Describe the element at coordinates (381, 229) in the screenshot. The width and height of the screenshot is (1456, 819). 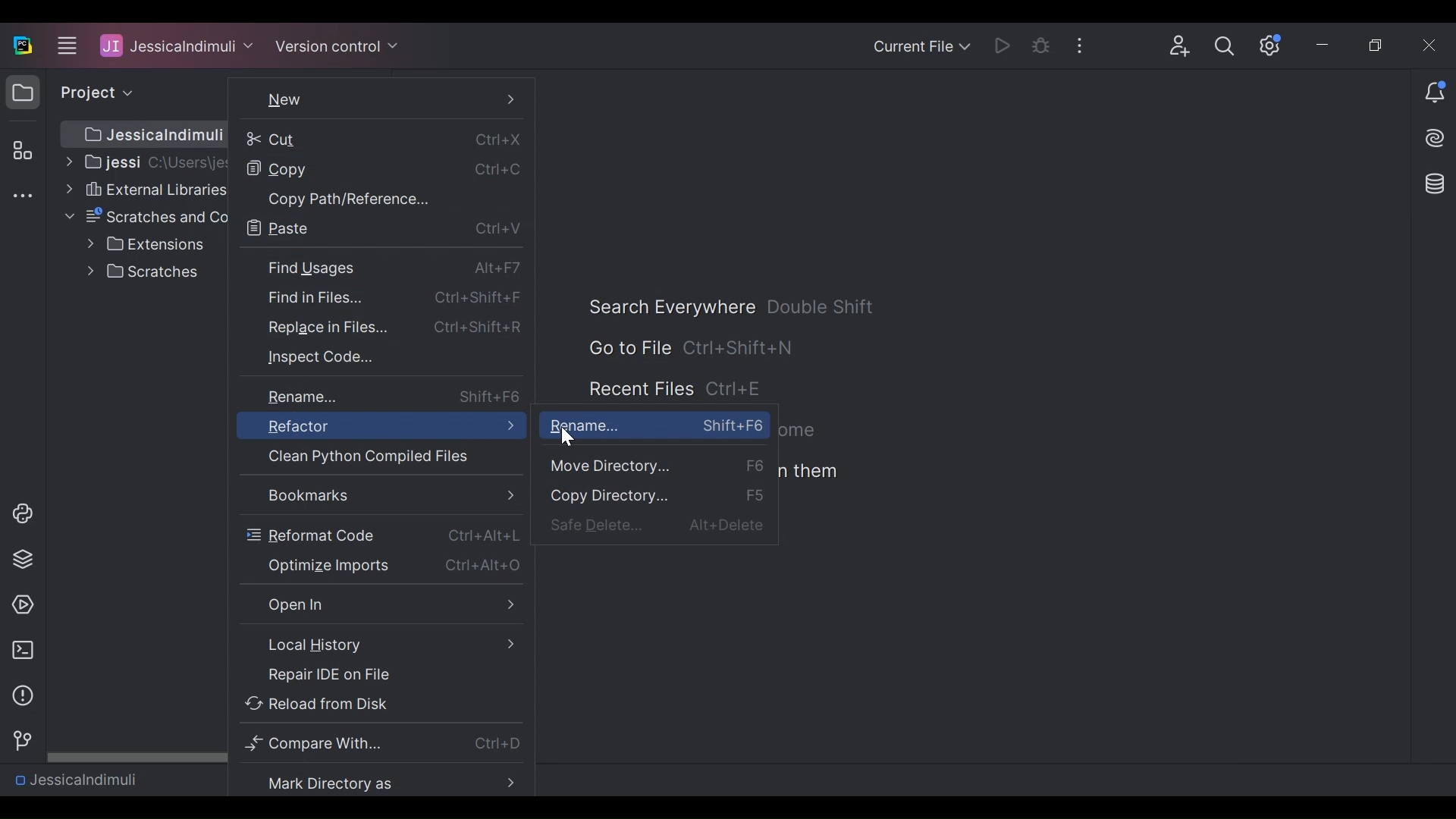
I see `Paste` at that location.